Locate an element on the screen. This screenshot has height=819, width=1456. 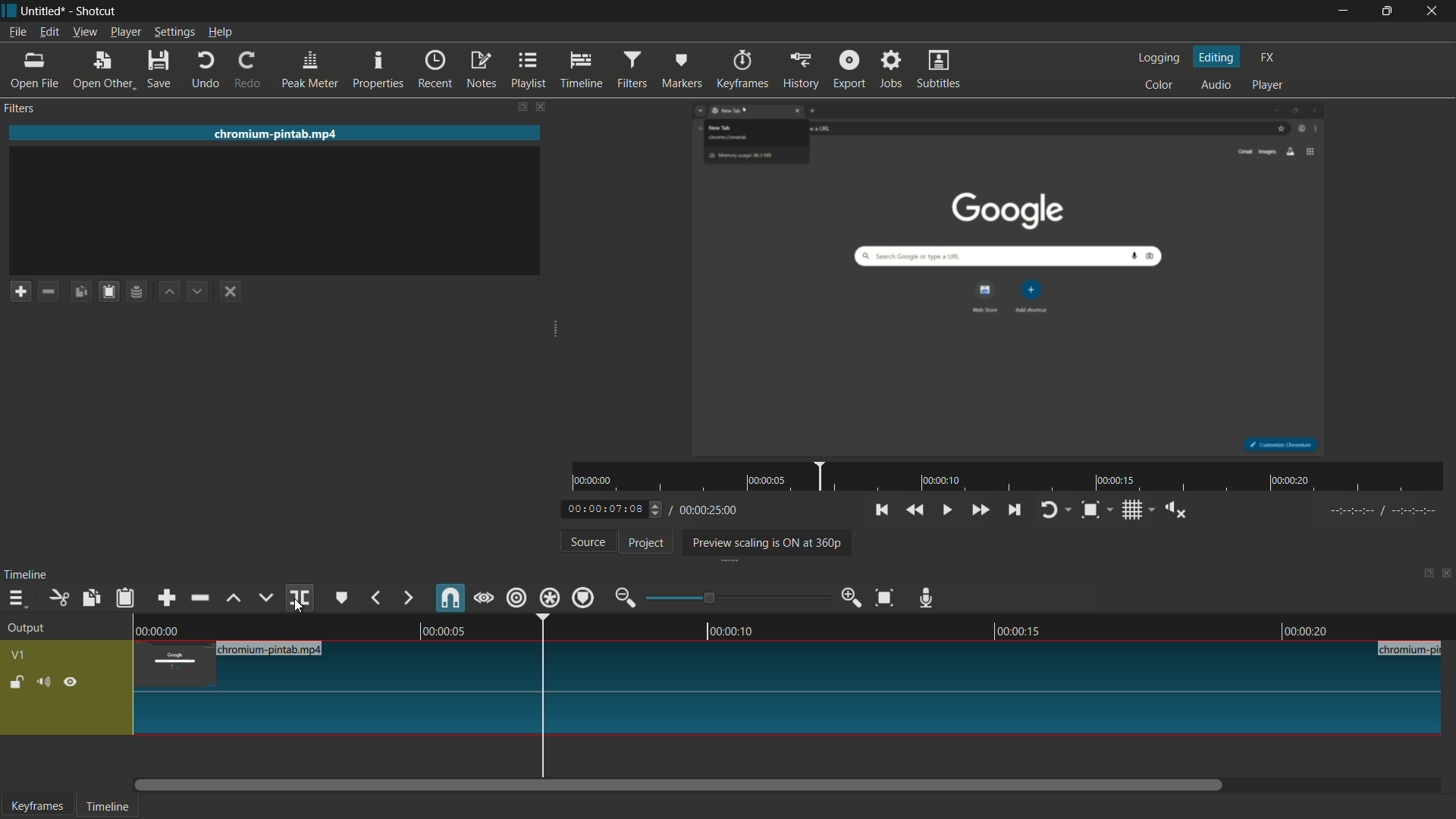
paste is located at coordinates (128, 598).